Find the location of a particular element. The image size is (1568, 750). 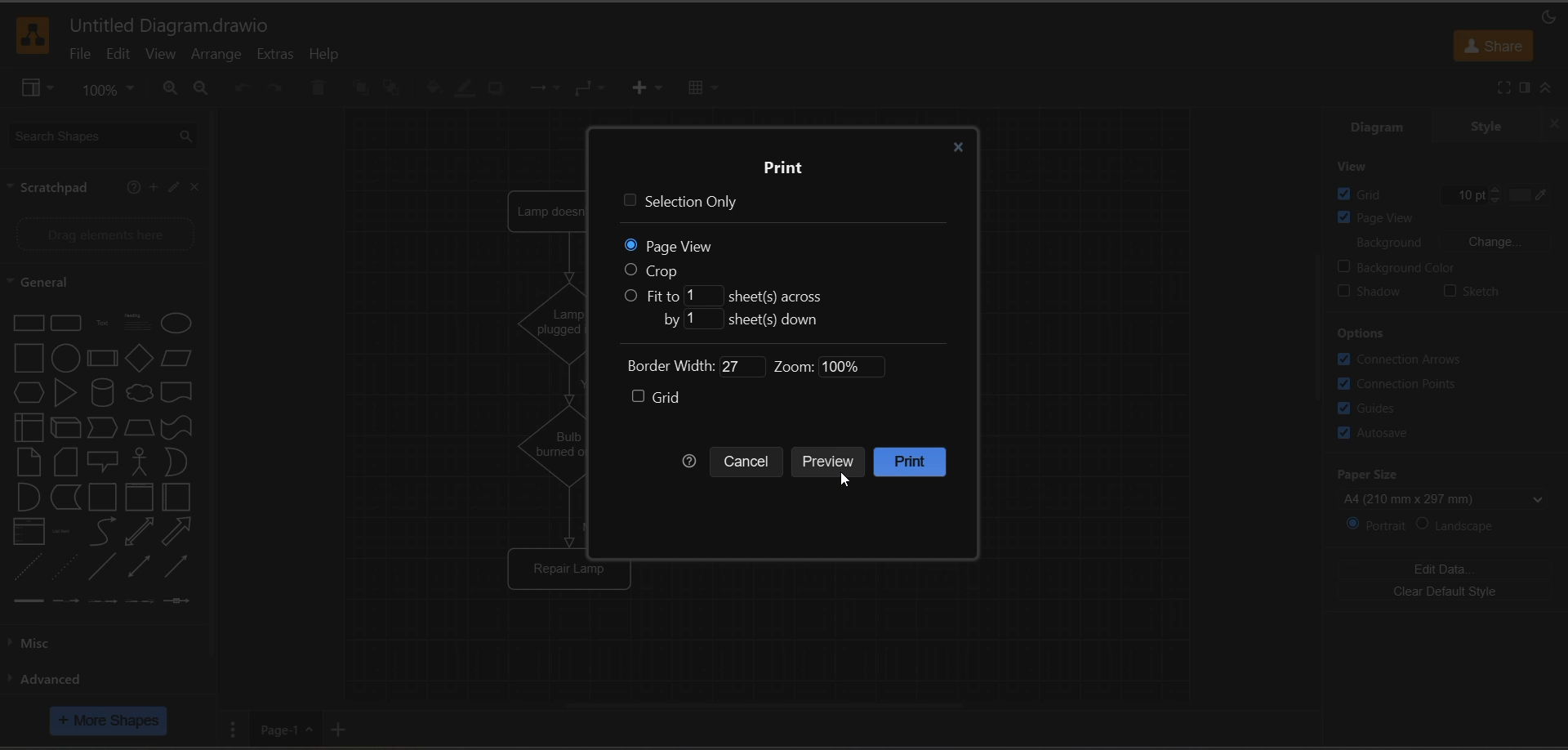

guides is located at coordinates (1375, 408).